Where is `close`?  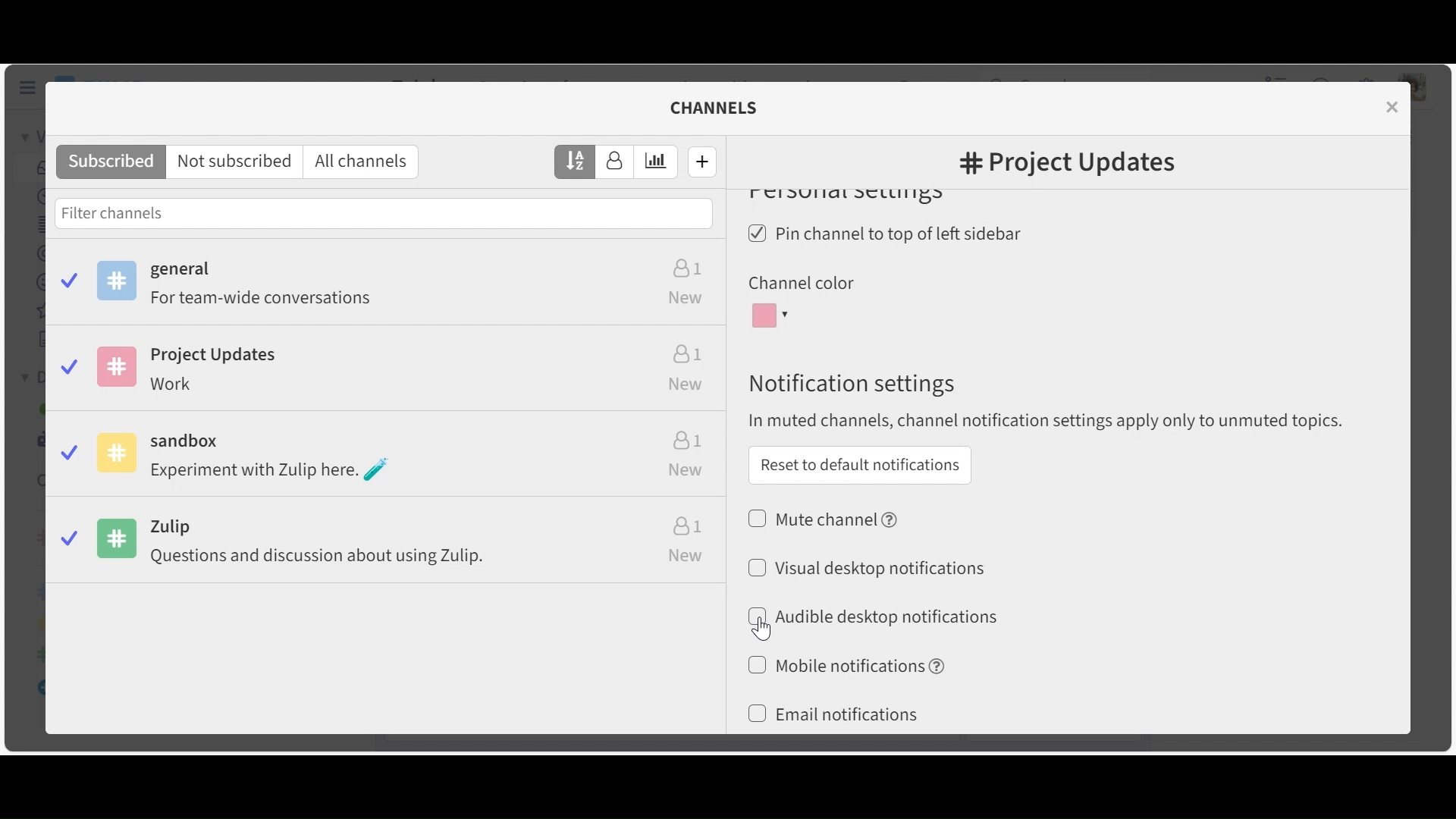
close is located at coordinates (1395, 106).